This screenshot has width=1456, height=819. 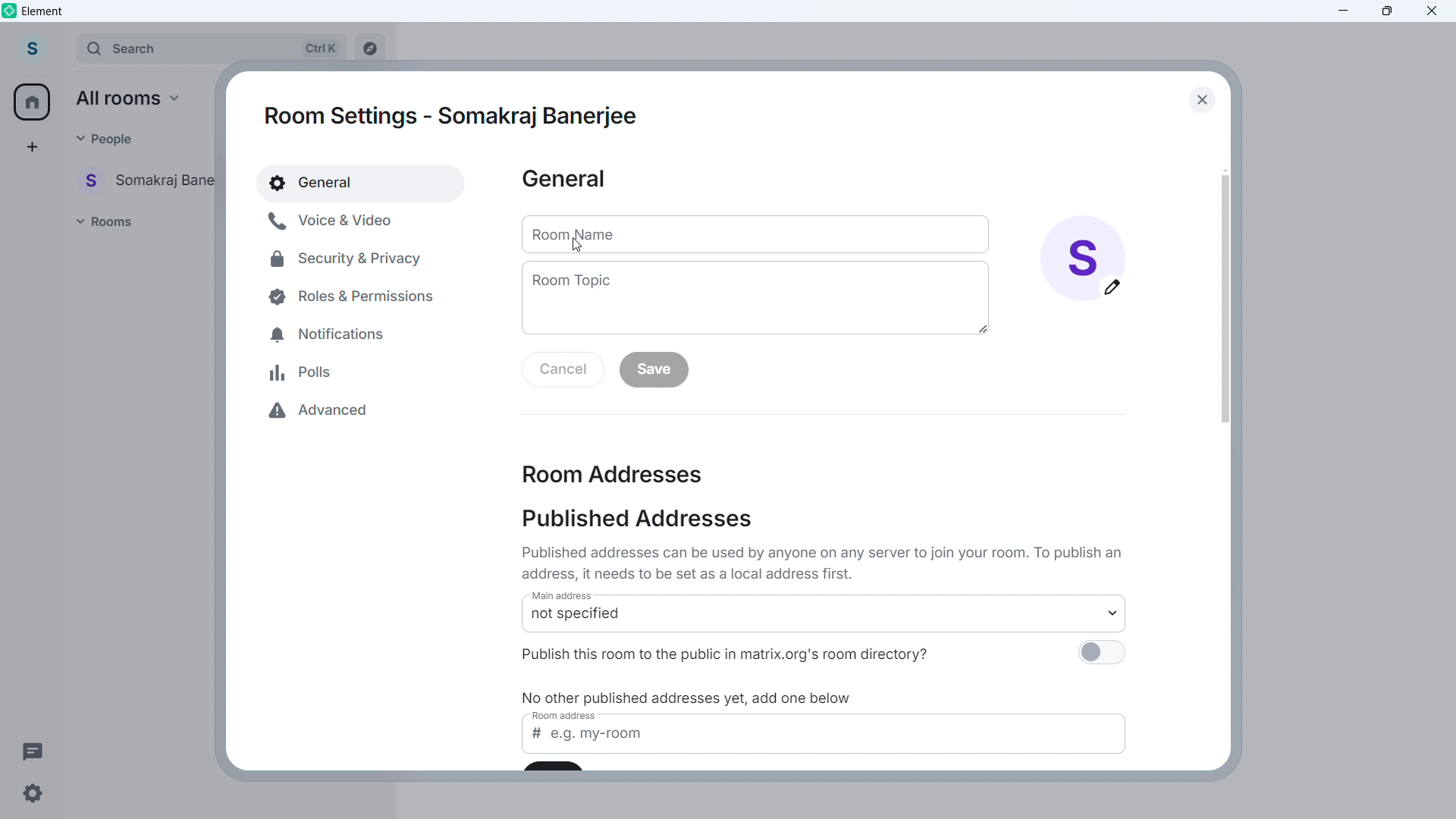 What do you see at coordinates (827, 742) in the screenshot?
I see `# e.g my-room` at bounding box center [827, 742].